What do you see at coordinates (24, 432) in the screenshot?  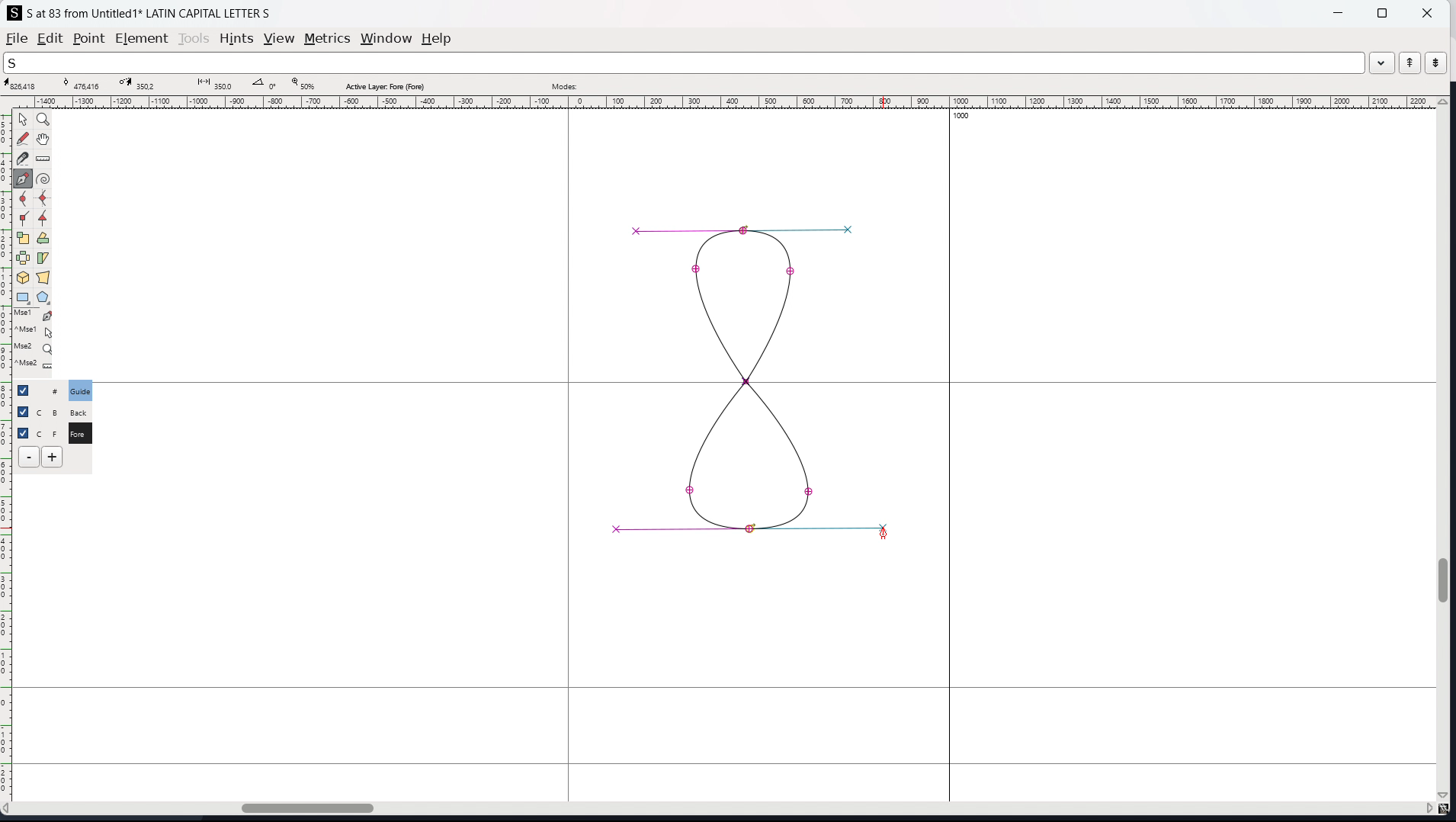 I see `selection toggle` at bounding box center [24, 432].